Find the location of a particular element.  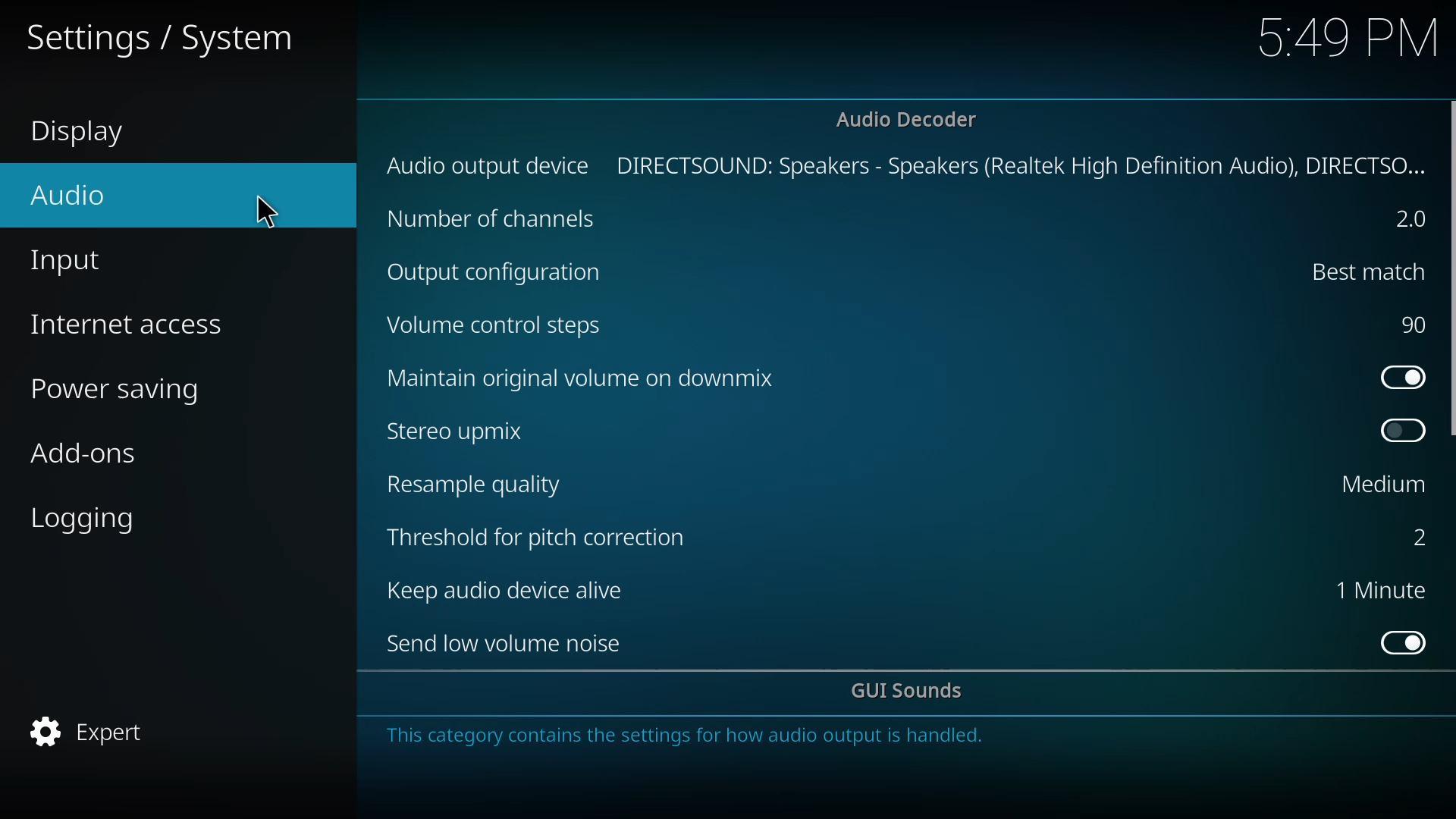

internet access  is located at coordinates (129, 319).